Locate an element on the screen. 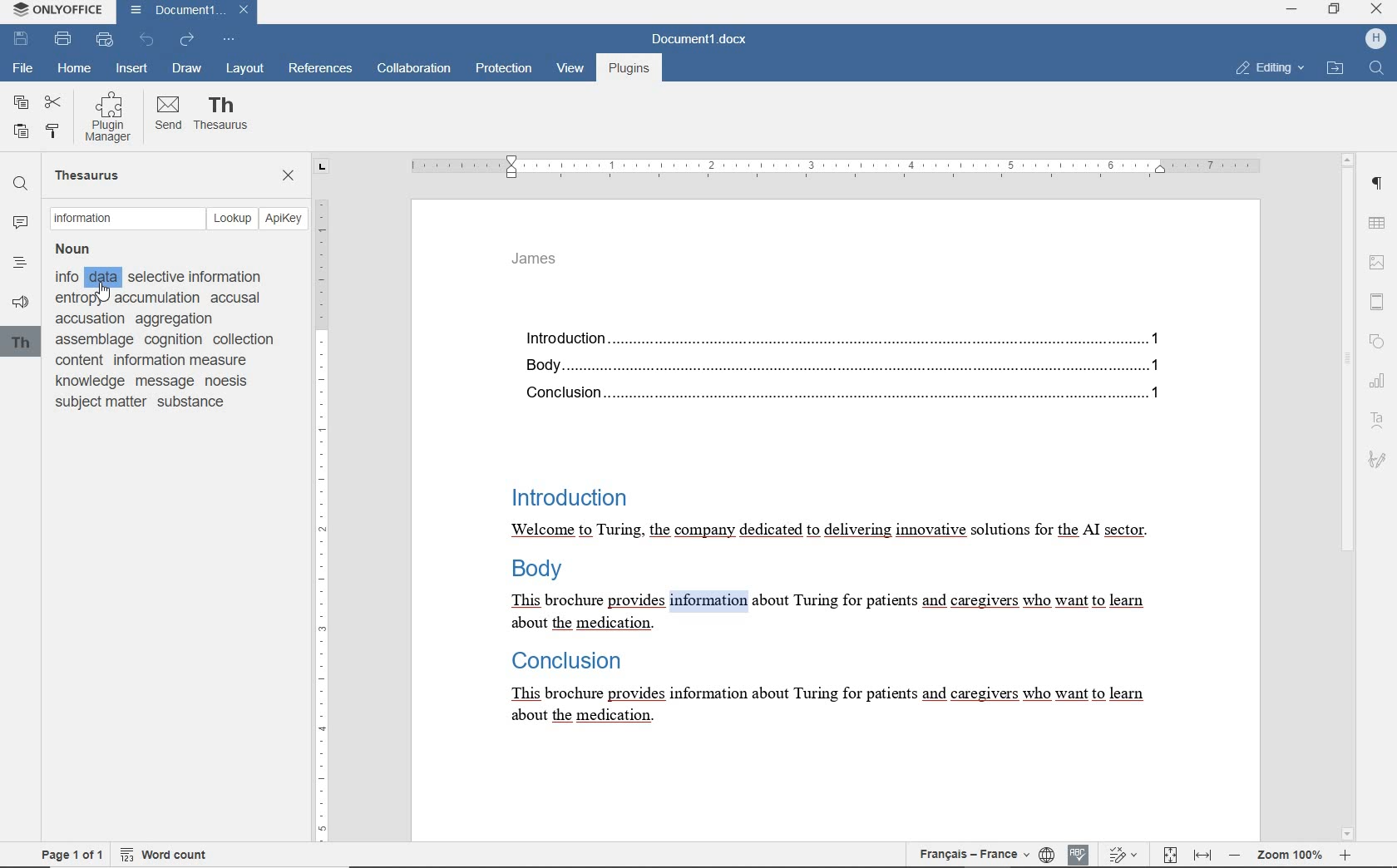 The image size is (1397, 868). REFERENCES is located at coordinates (322, 70).